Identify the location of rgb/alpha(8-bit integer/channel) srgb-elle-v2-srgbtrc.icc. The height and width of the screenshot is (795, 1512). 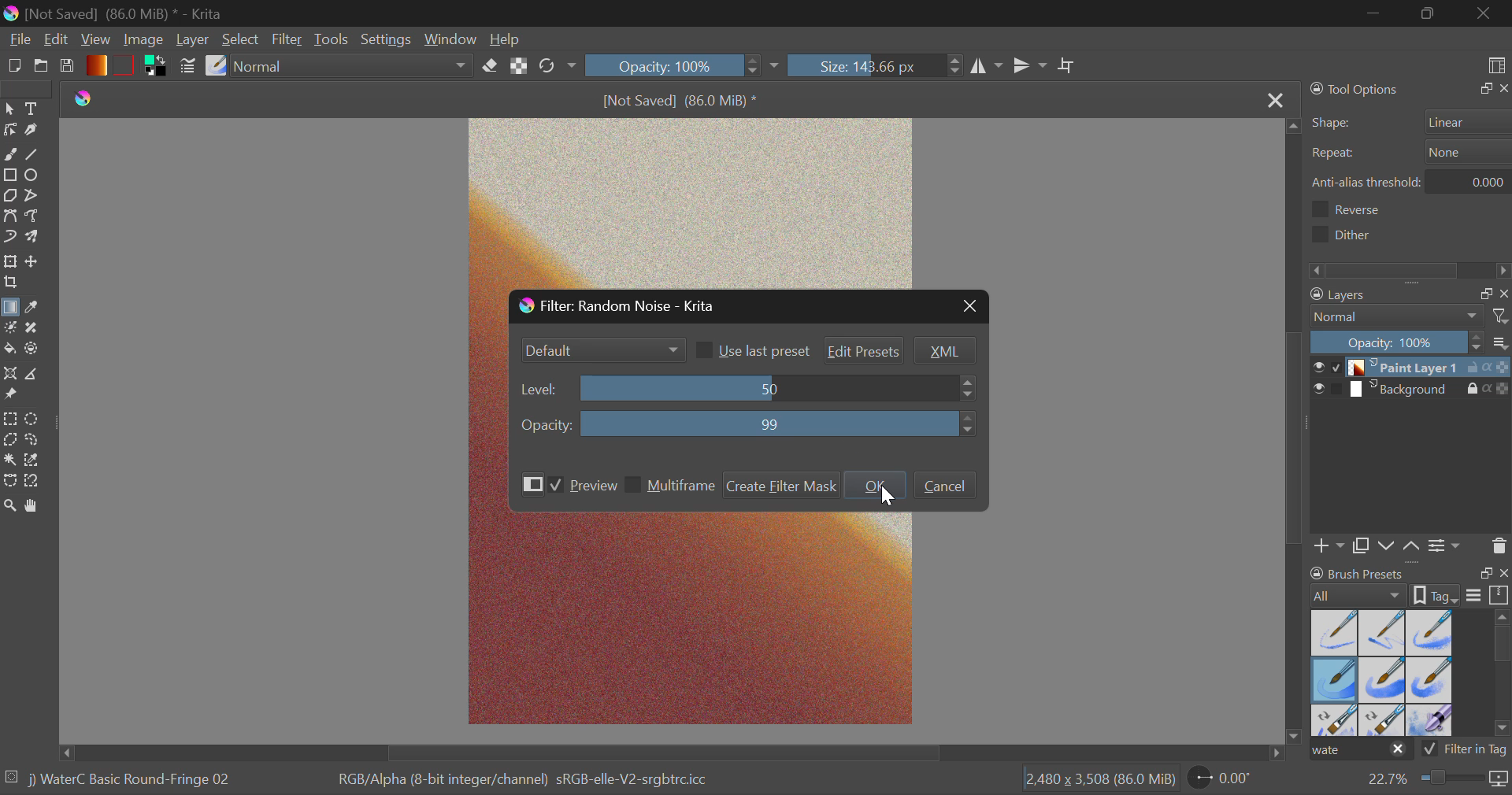
(533, 784).